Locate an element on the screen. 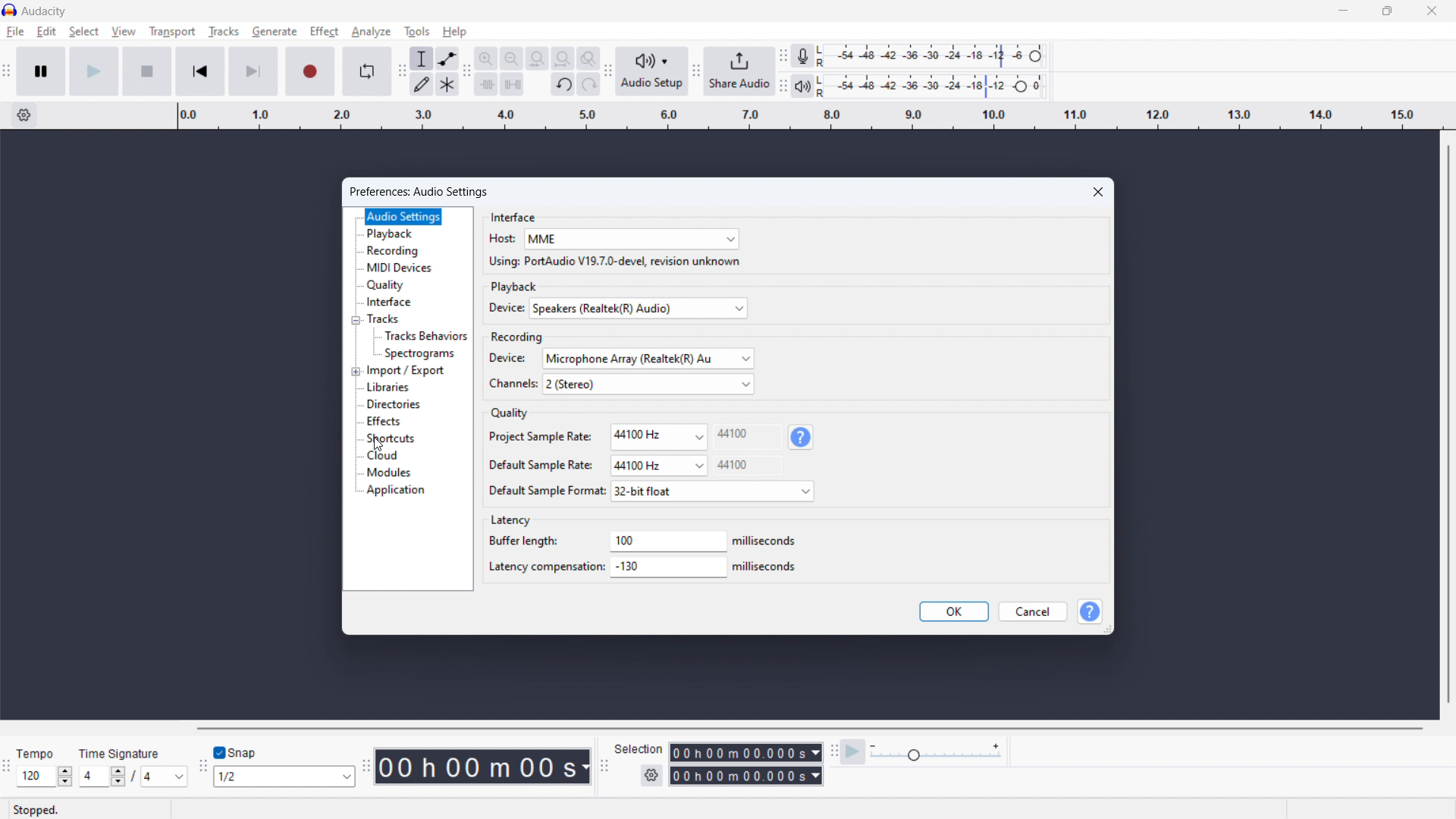  Duration measurement is located at coordinates (586, 767).